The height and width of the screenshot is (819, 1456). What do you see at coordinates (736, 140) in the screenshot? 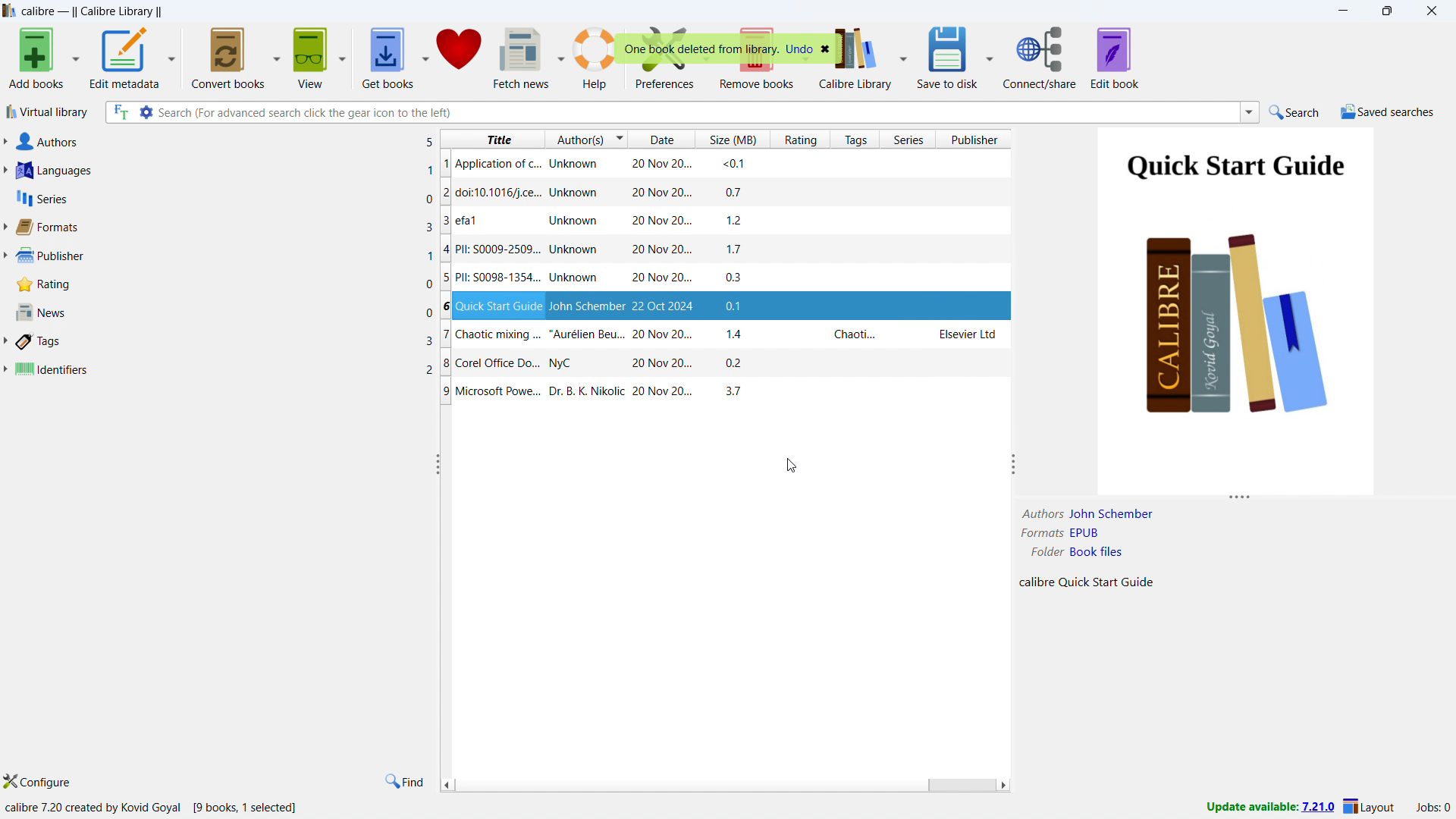
I see `sort by size` at bounding box center [736, 140].